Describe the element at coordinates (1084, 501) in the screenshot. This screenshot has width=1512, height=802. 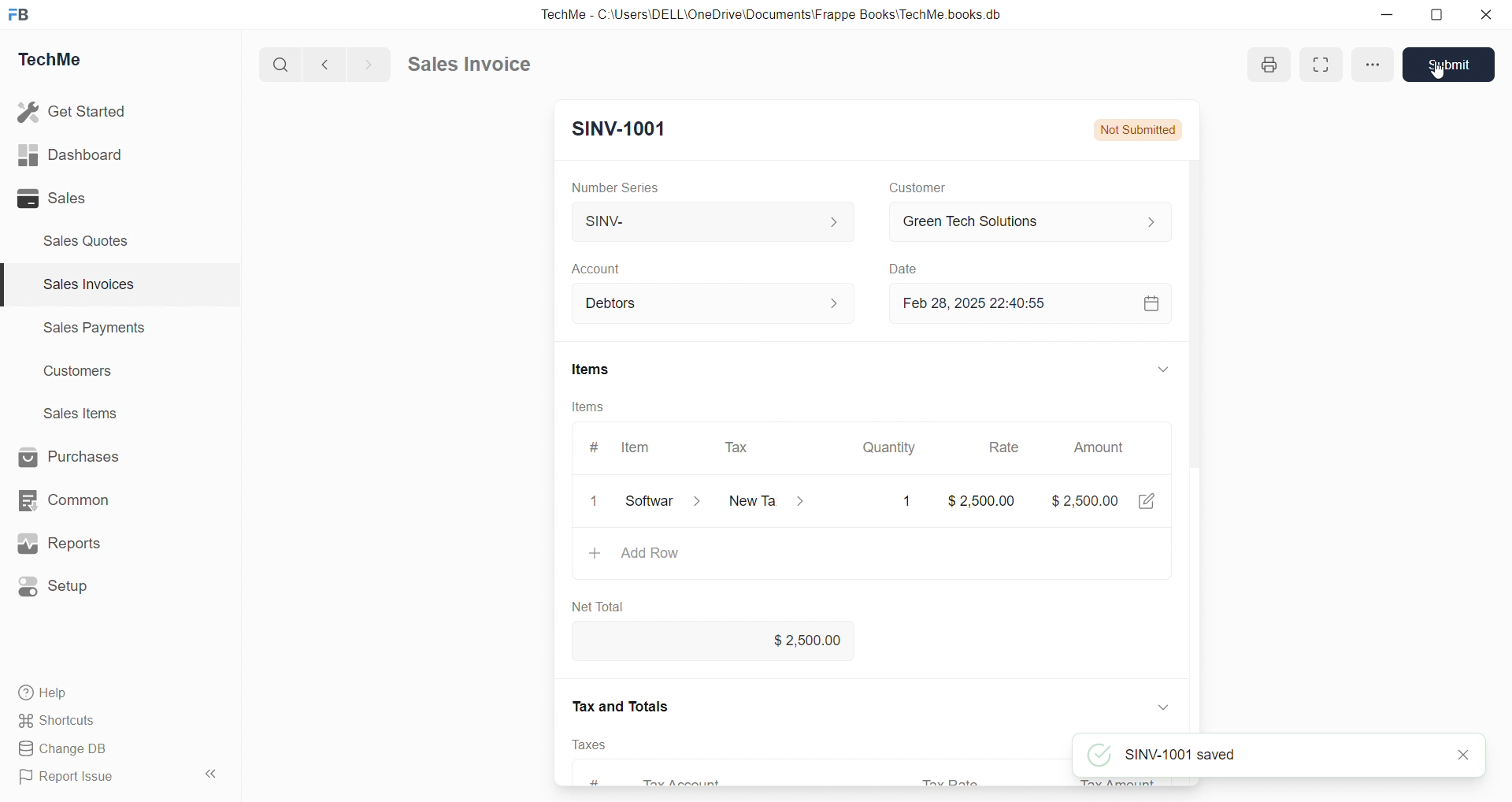
I see `$2,500.00` at that location.